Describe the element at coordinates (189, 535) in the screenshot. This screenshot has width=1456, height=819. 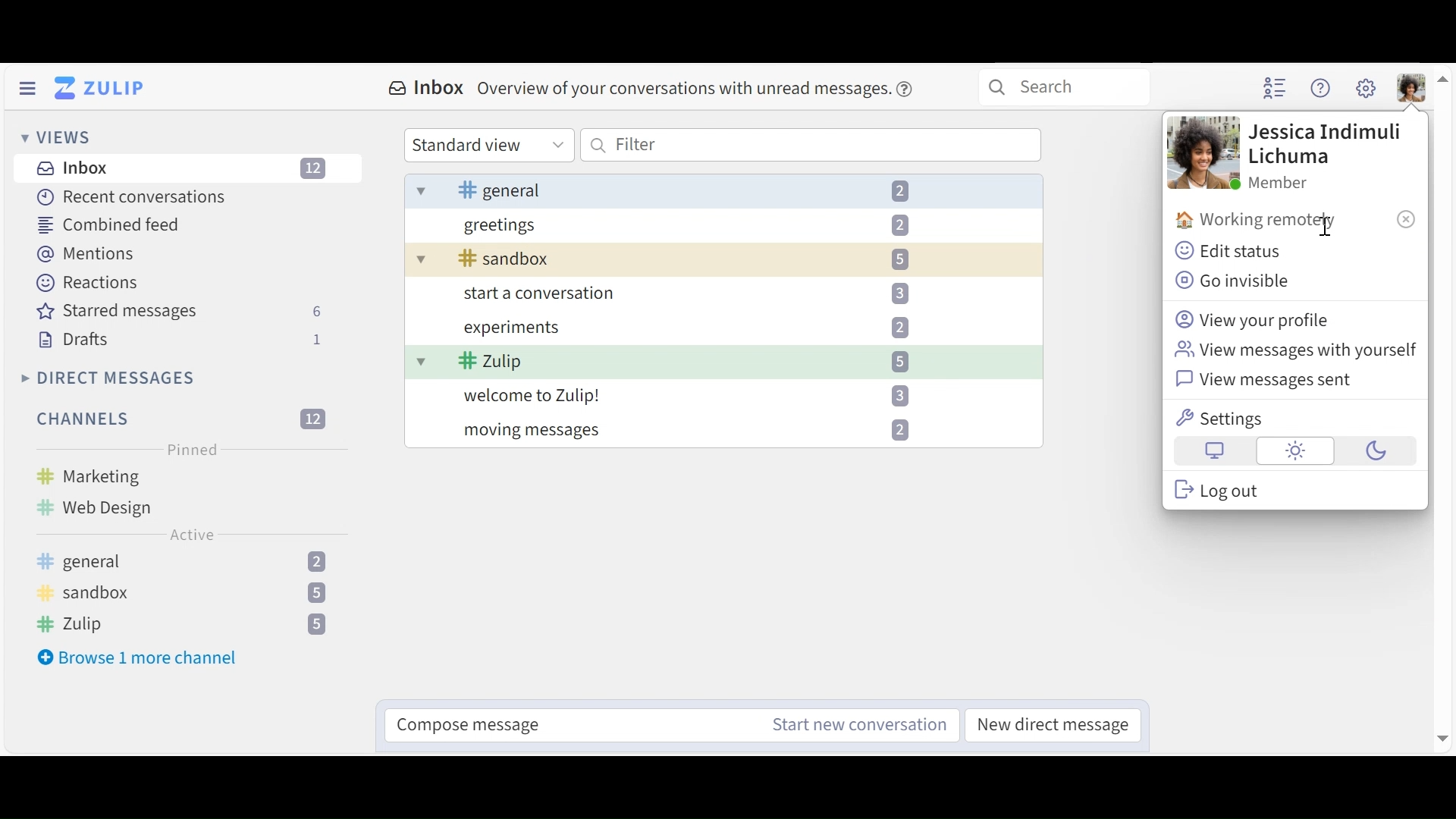
I see `Active` at that location.